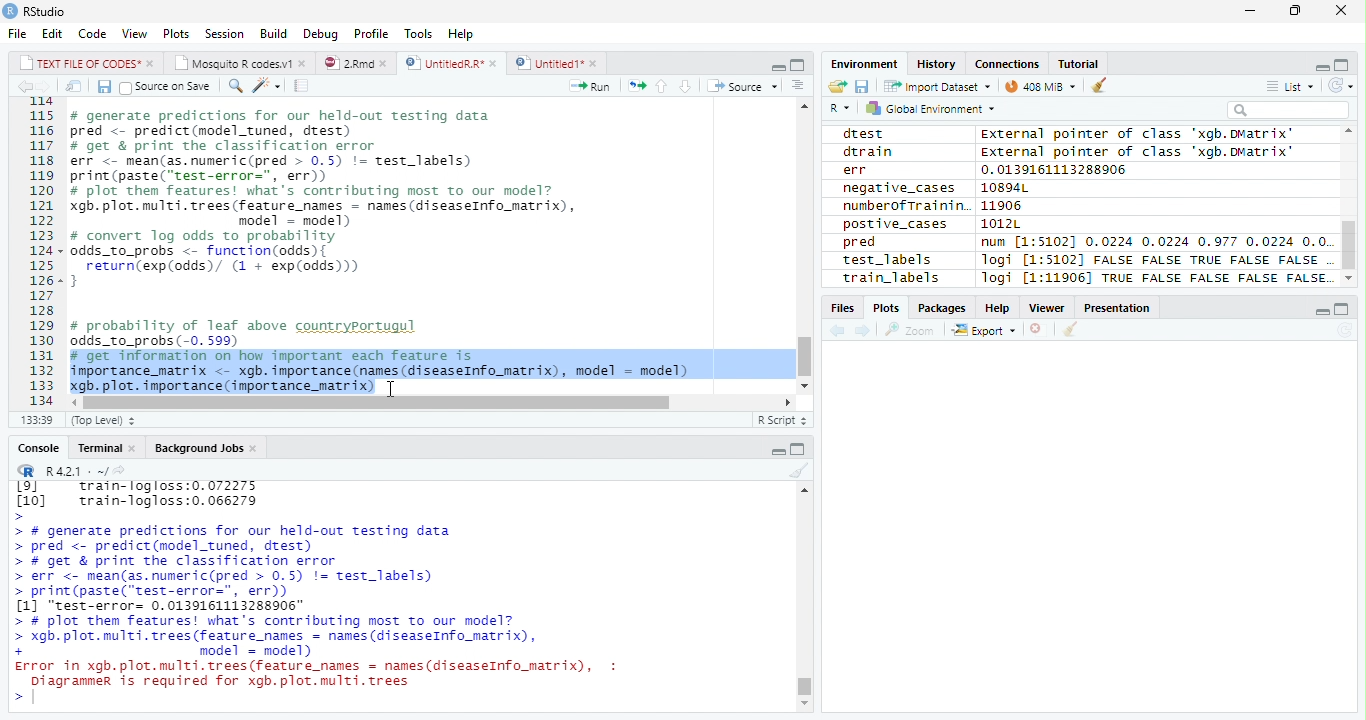 The image size is (1366, 720). What do you see at coordinates (1081, 63) in the screenshot?
I see `Tutorial` at bounding box center [1081, 63].